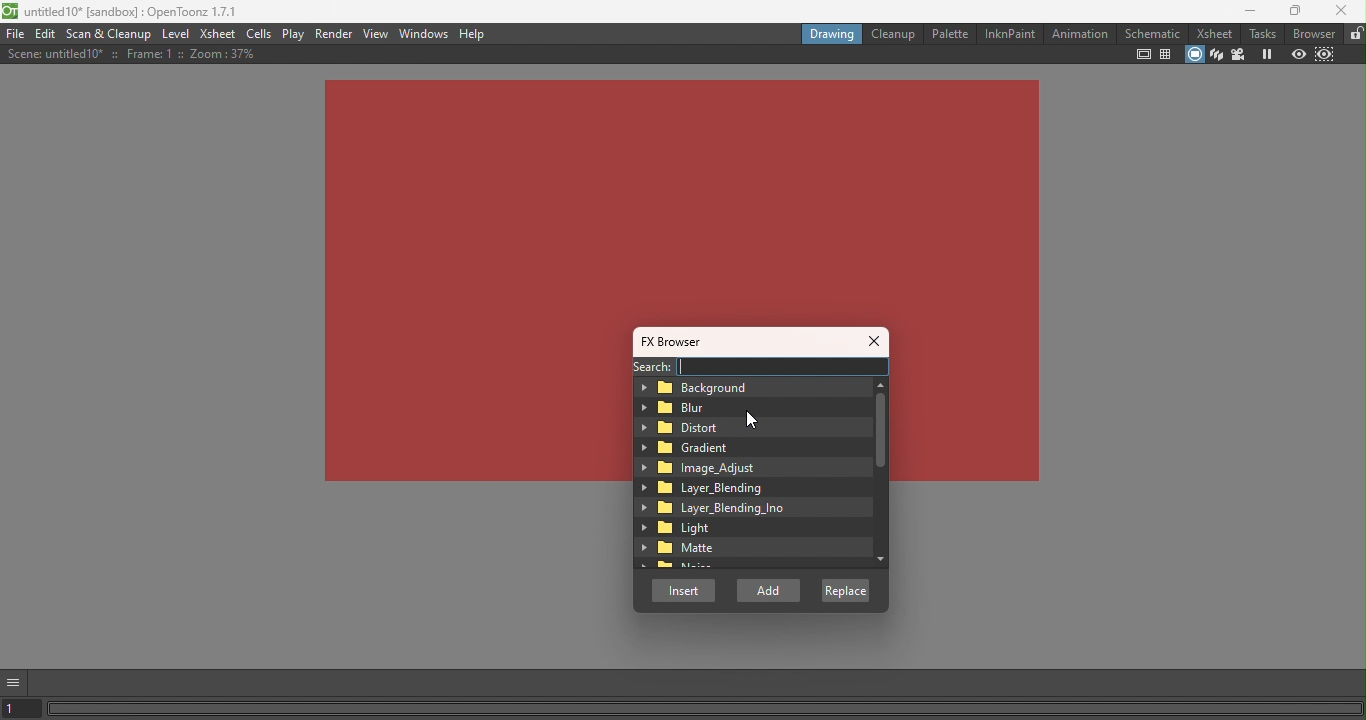  What do you see at coordinates (703, 489) in the screenshot?
I see `Layer_blending` at bounding box center [703, 489].